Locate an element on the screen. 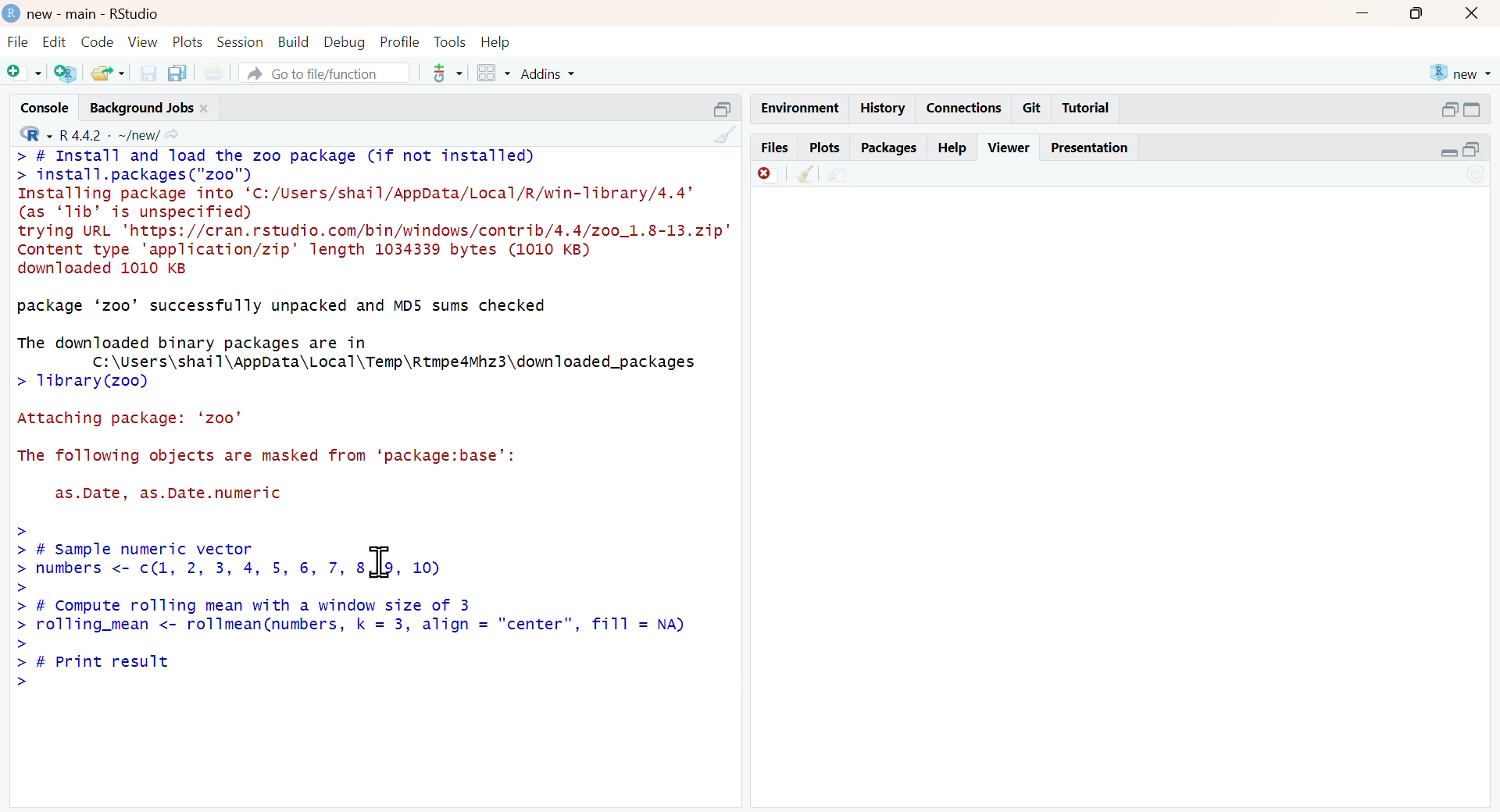 The image size is (1500, 812). Tutorial  is located at coordinates (1087, 108).